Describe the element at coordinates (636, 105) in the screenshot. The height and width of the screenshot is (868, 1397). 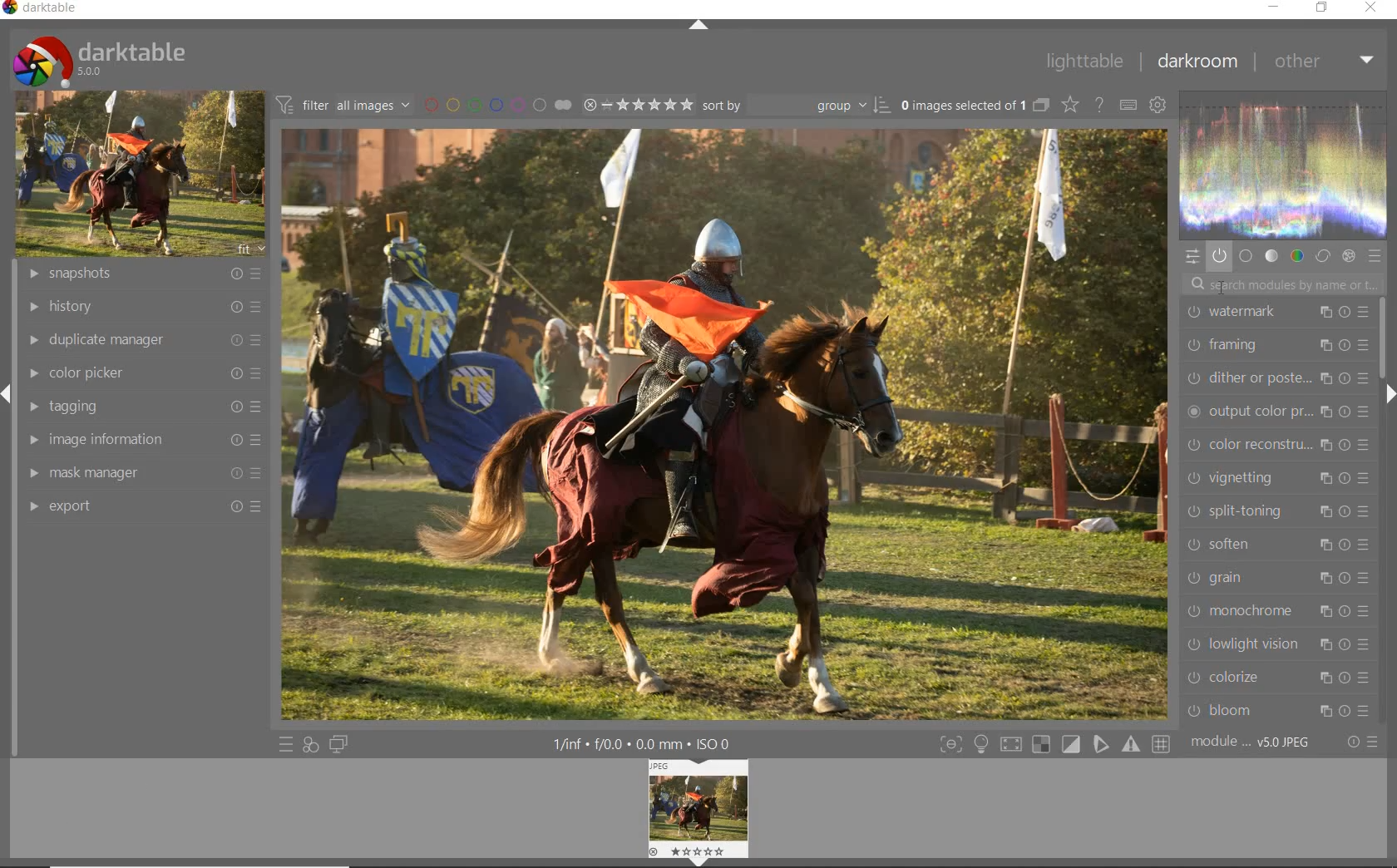
I see `selected Image range rating` at that location.